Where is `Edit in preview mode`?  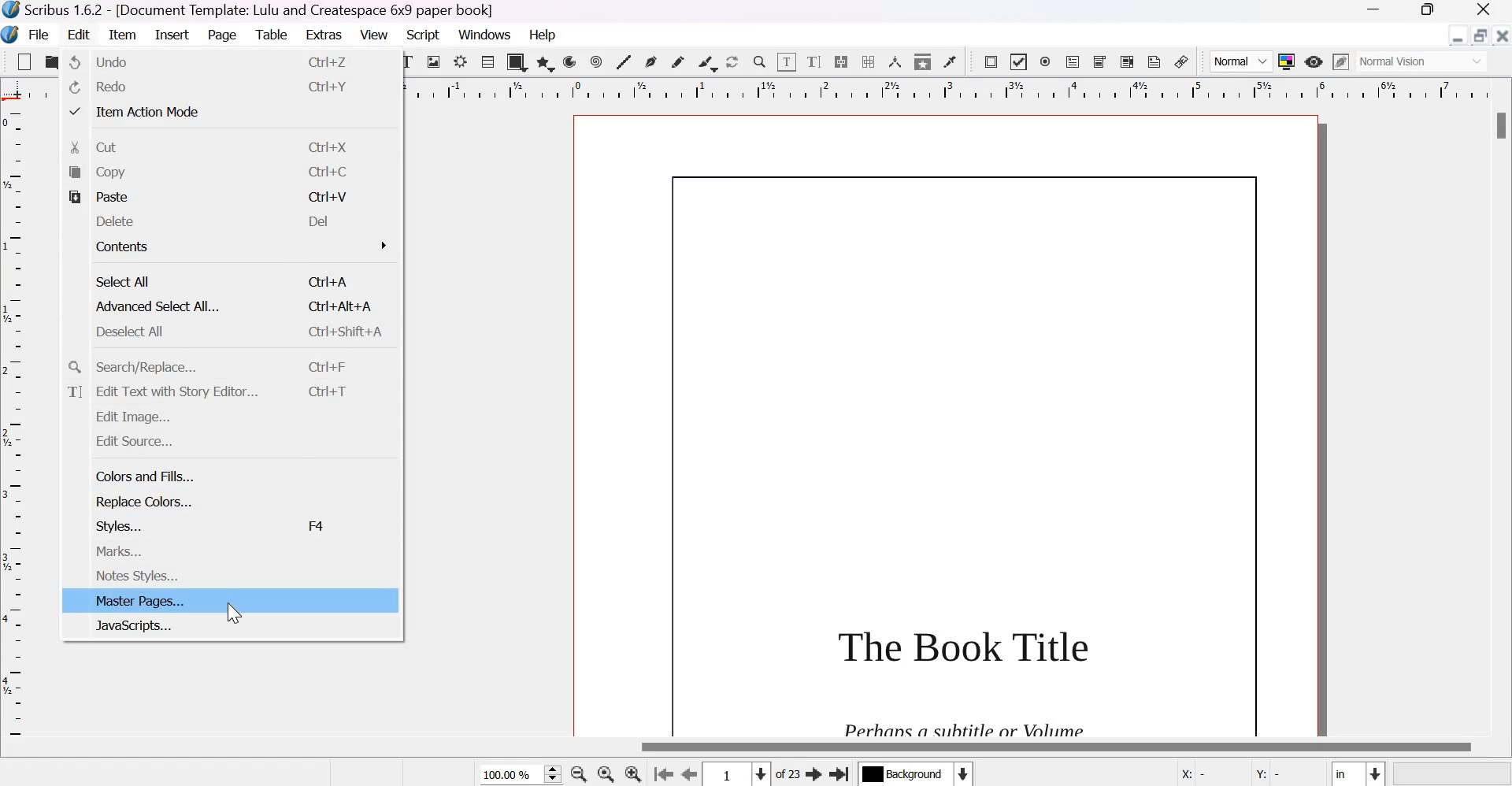 Edit in preview mode is located at coordinates (1340, 61).